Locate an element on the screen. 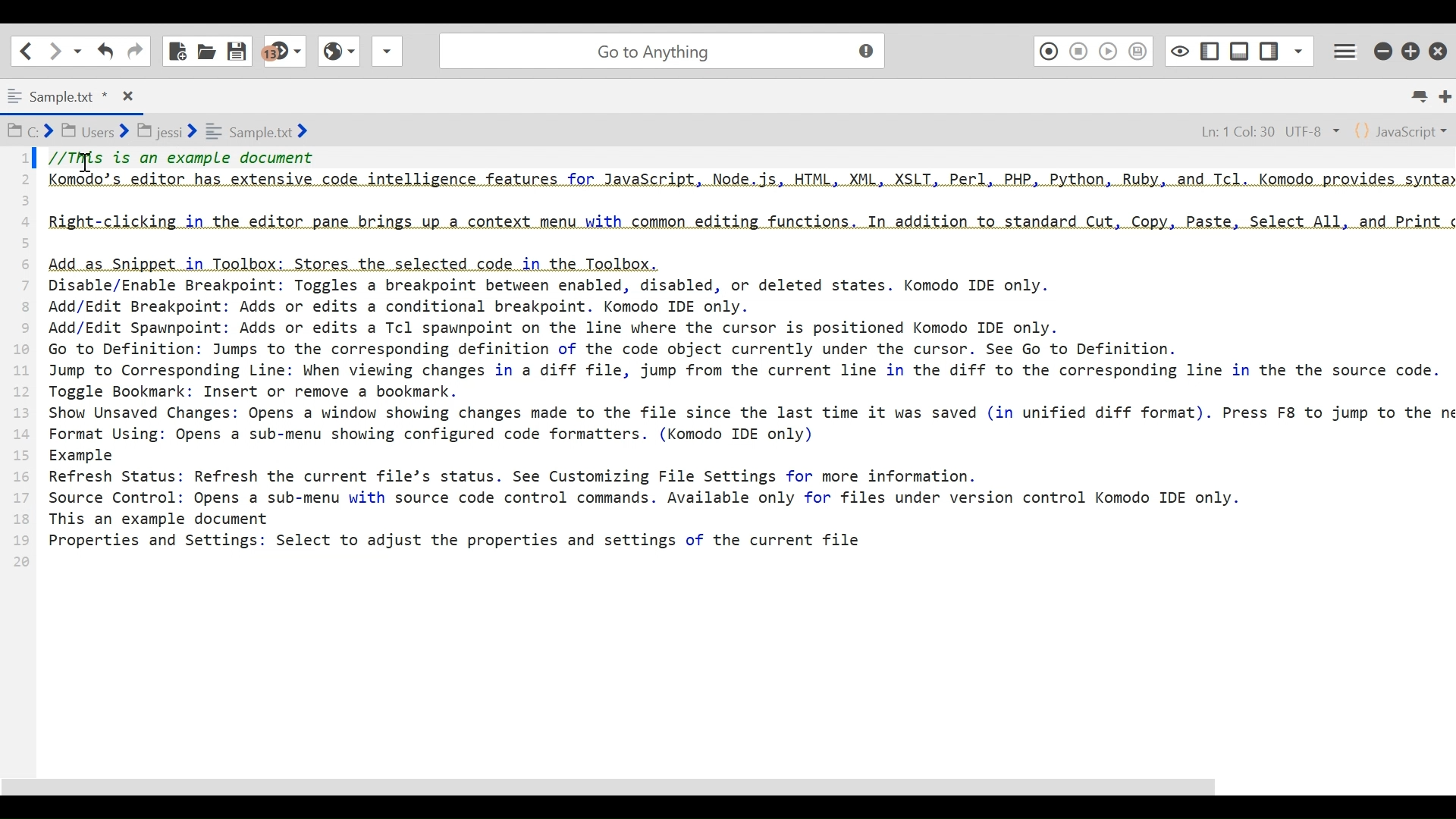 The image size is (1456, 819). List all tabs is located at coordinates (1423, 96).